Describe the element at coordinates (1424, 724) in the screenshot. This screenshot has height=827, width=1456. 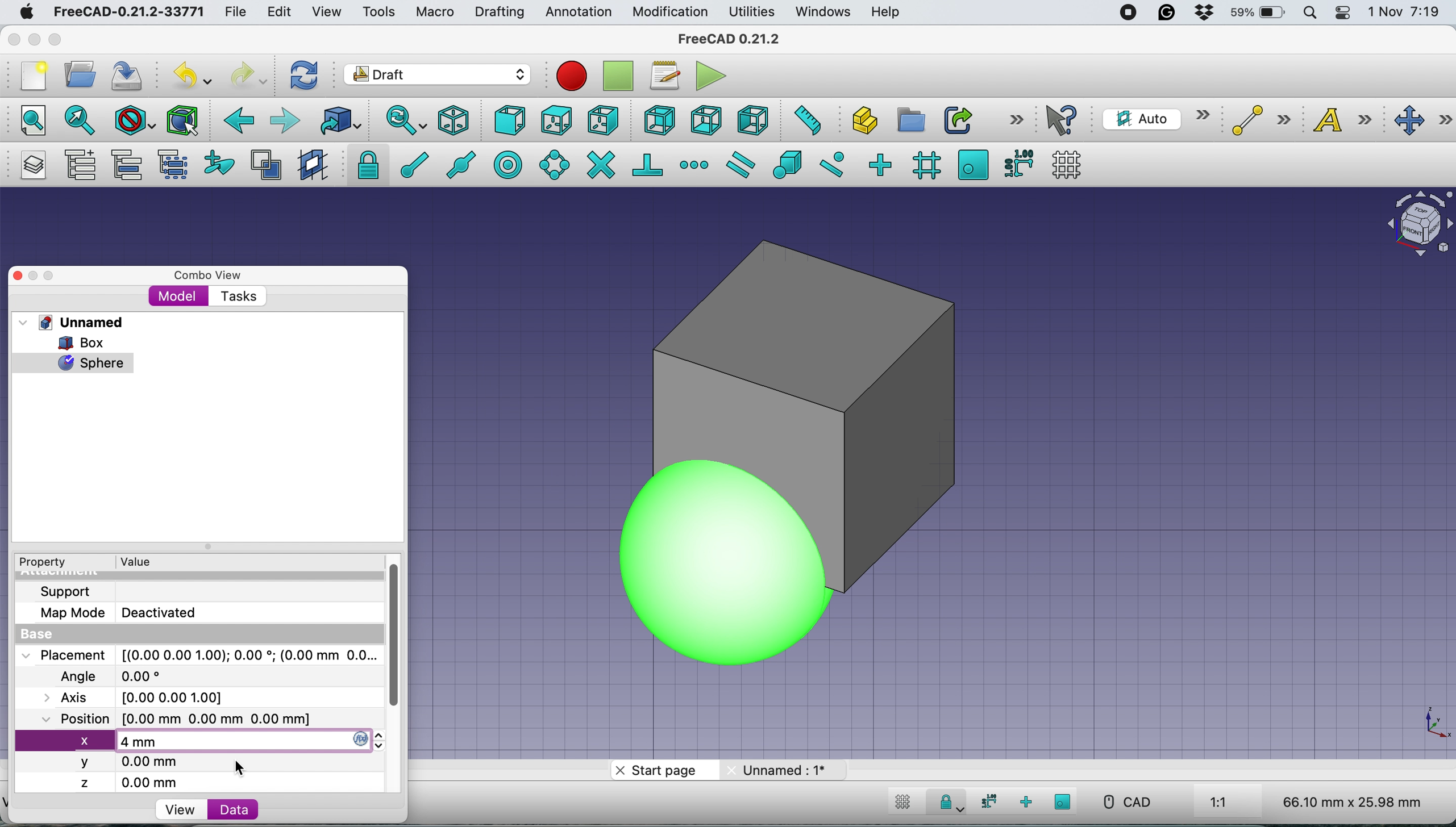
I see `xy coordinate` at that location.